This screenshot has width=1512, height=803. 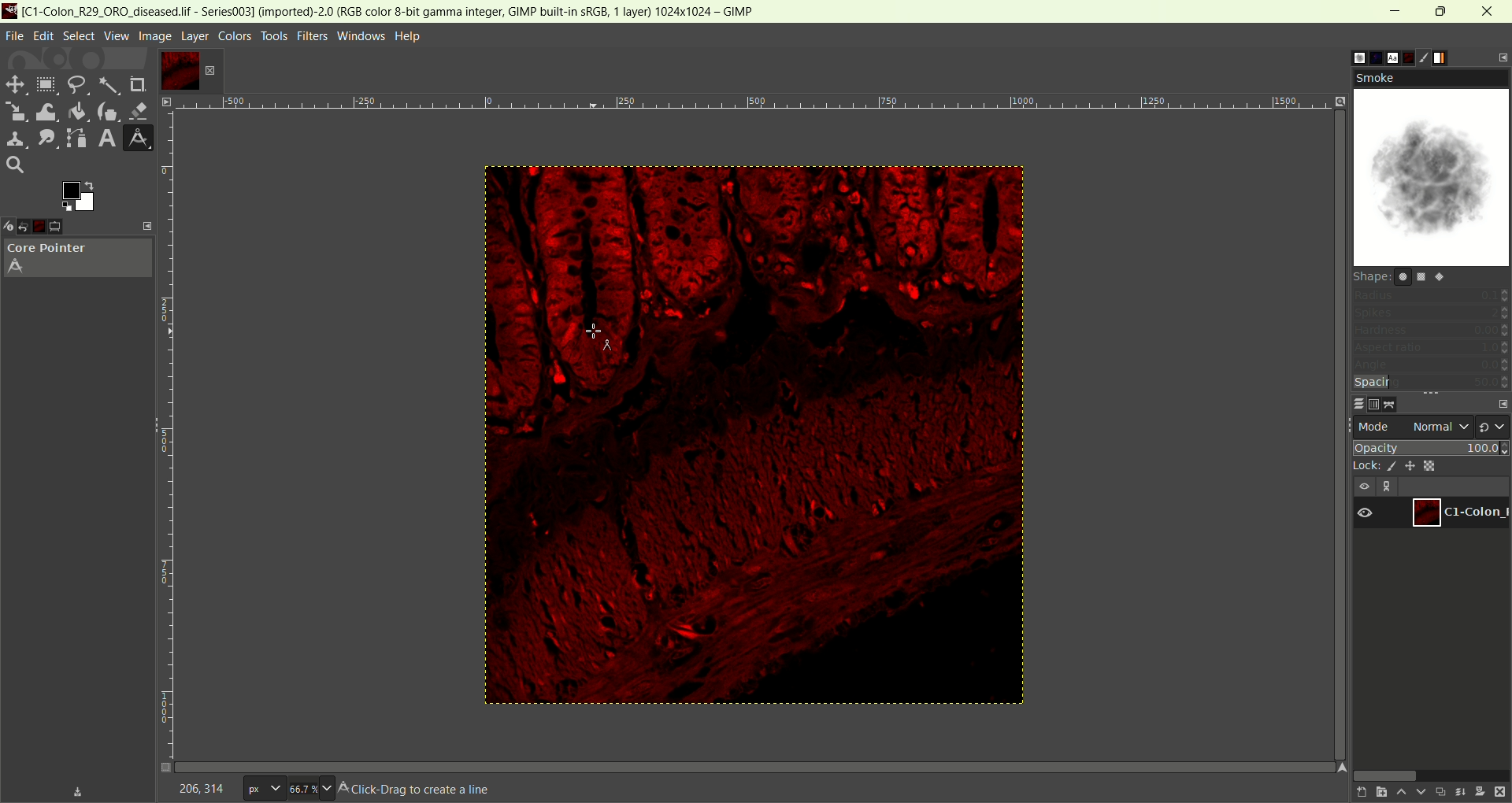 What do you see at coordinates (1388, 467) in the screenshot?
I see `lock pixel` at bounding box center [1388, 467].